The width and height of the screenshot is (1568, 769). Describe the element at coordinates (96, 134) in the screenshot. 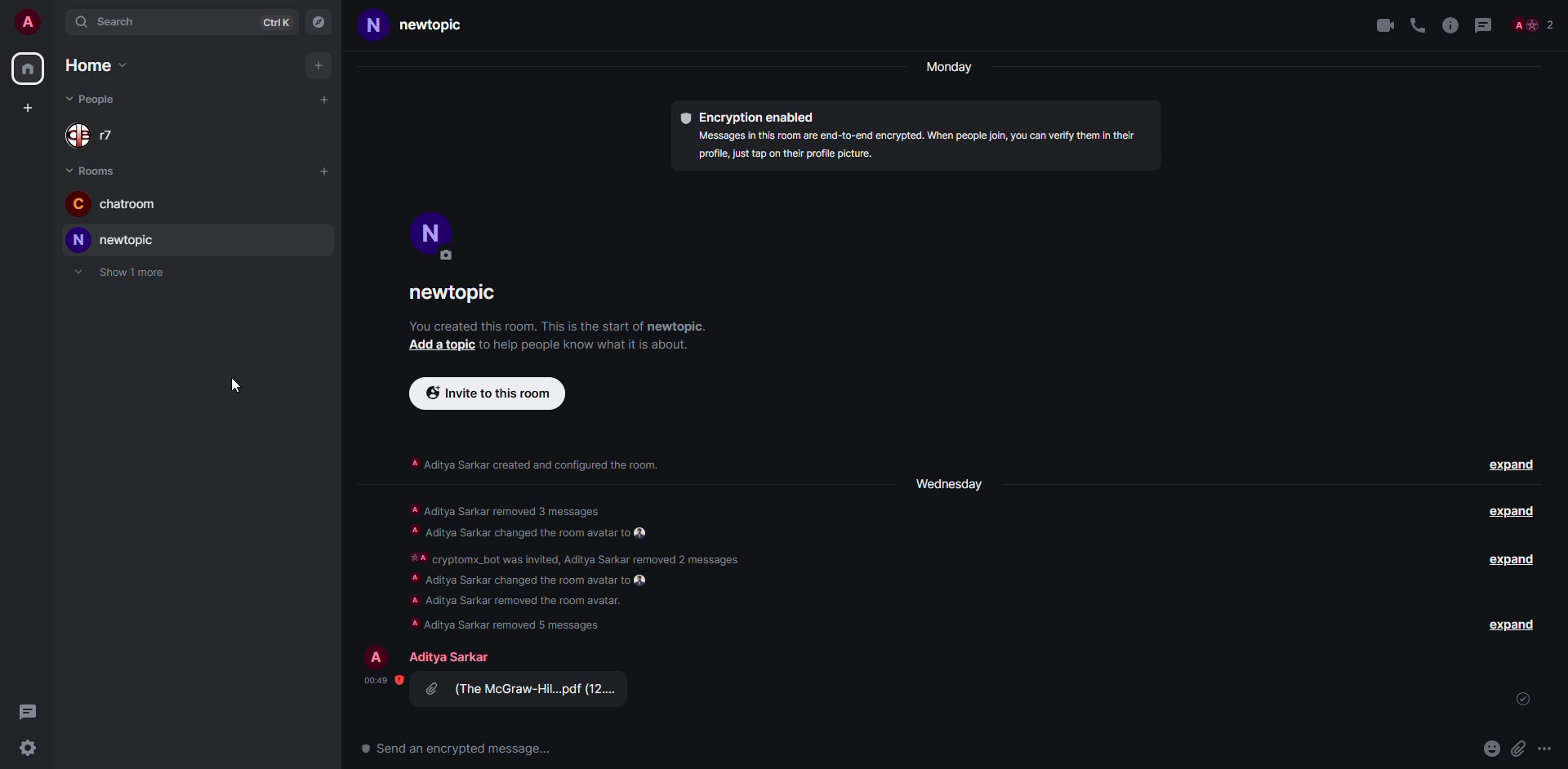

I see `r7` at that location.